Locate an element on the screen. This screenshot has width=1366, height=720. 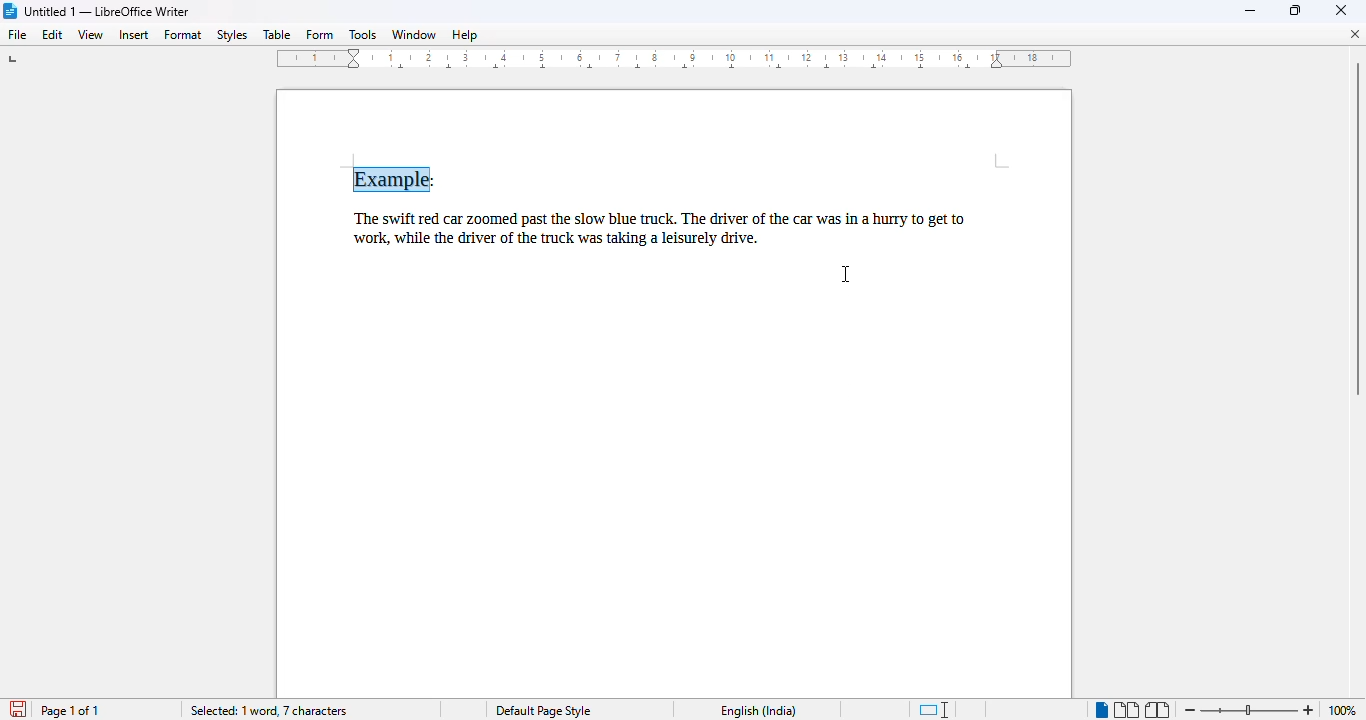
table is located at coordinates (277, 35).